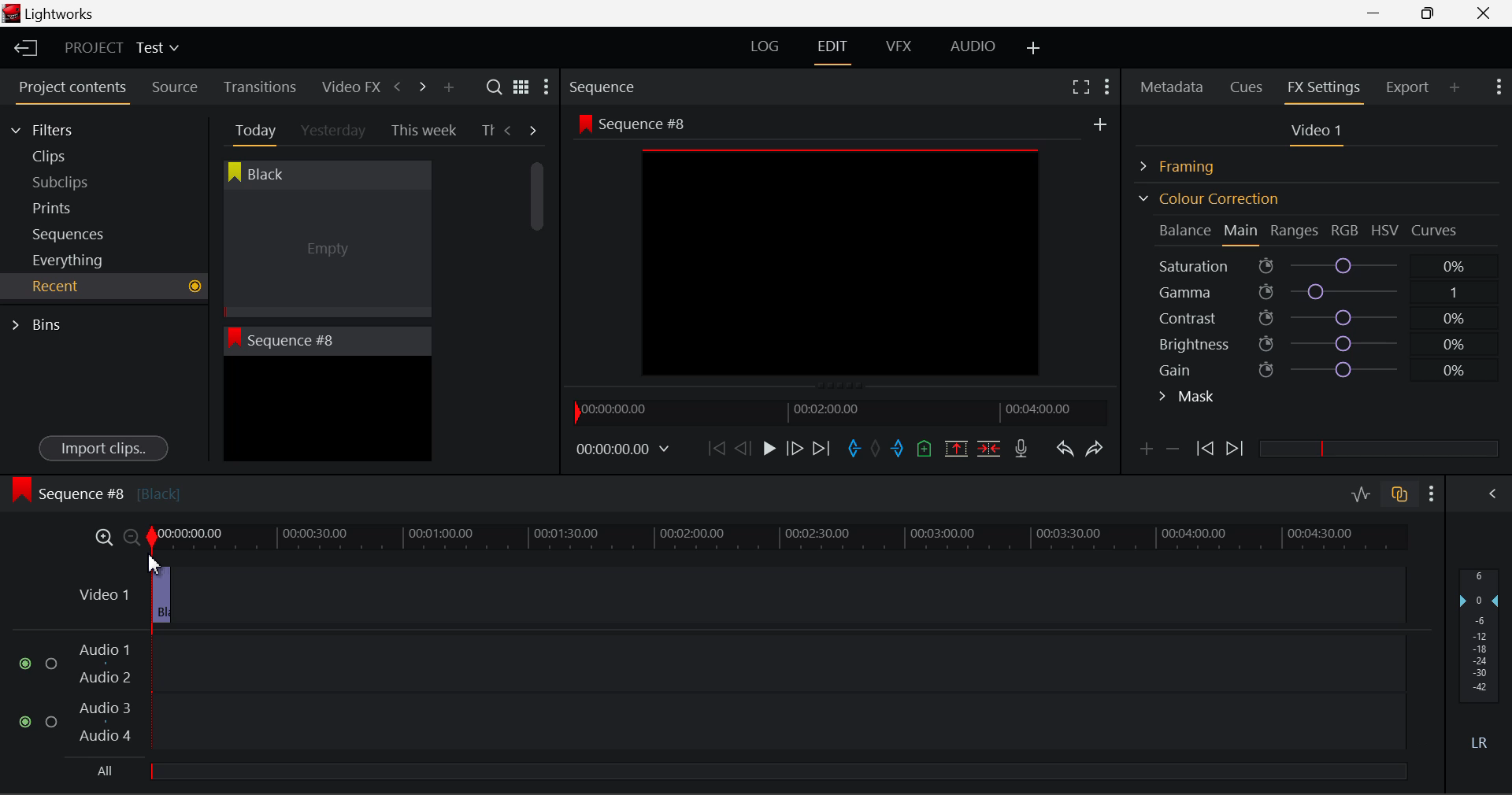 The image size is (1512, 795). Describe the element at coordinates (1187, 230) in the screenshot. I see `Balance Section` at that location.